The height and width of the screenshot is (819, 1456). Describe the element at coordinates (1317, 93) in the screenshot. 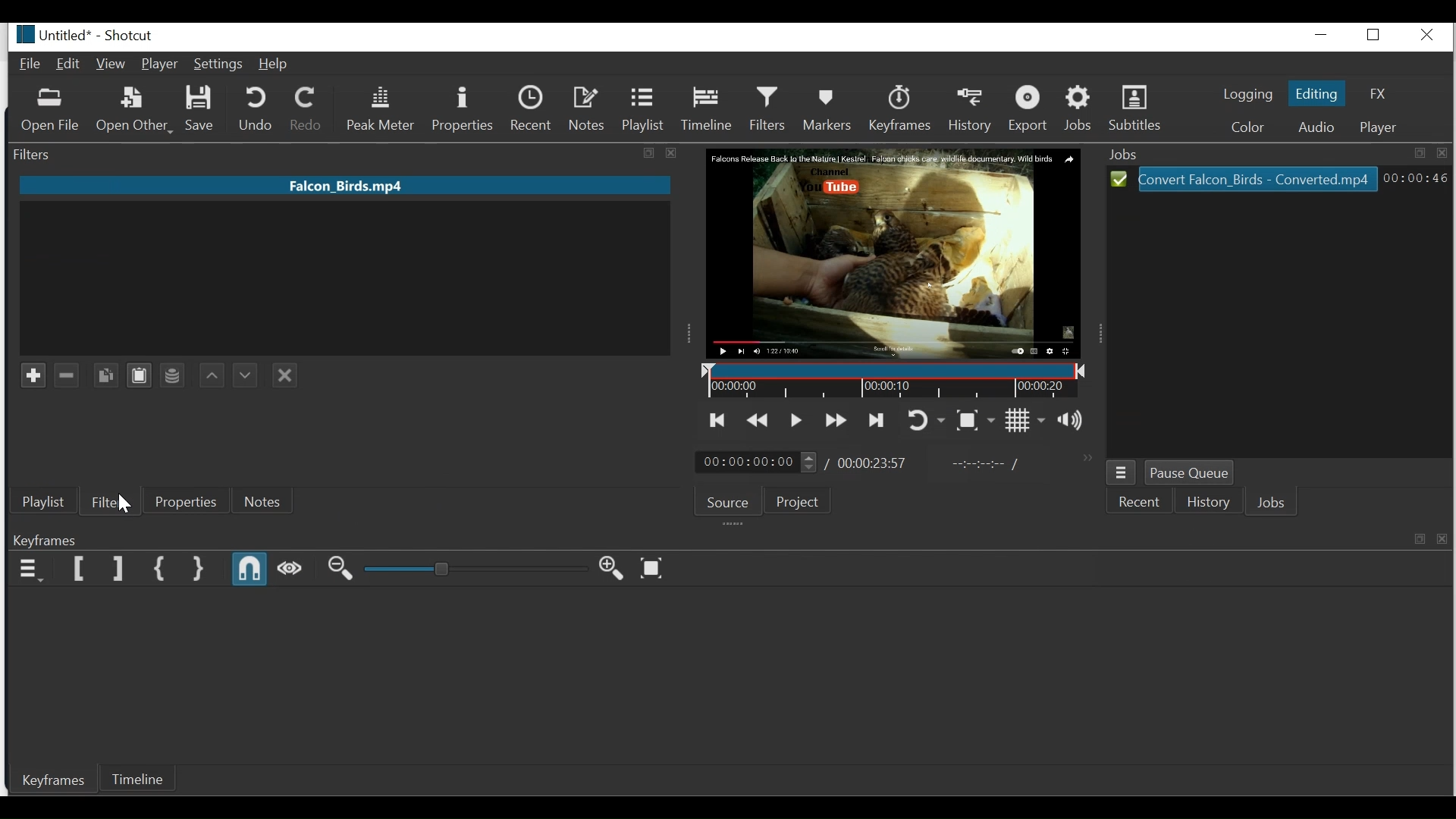

I see `Editing` at that location.